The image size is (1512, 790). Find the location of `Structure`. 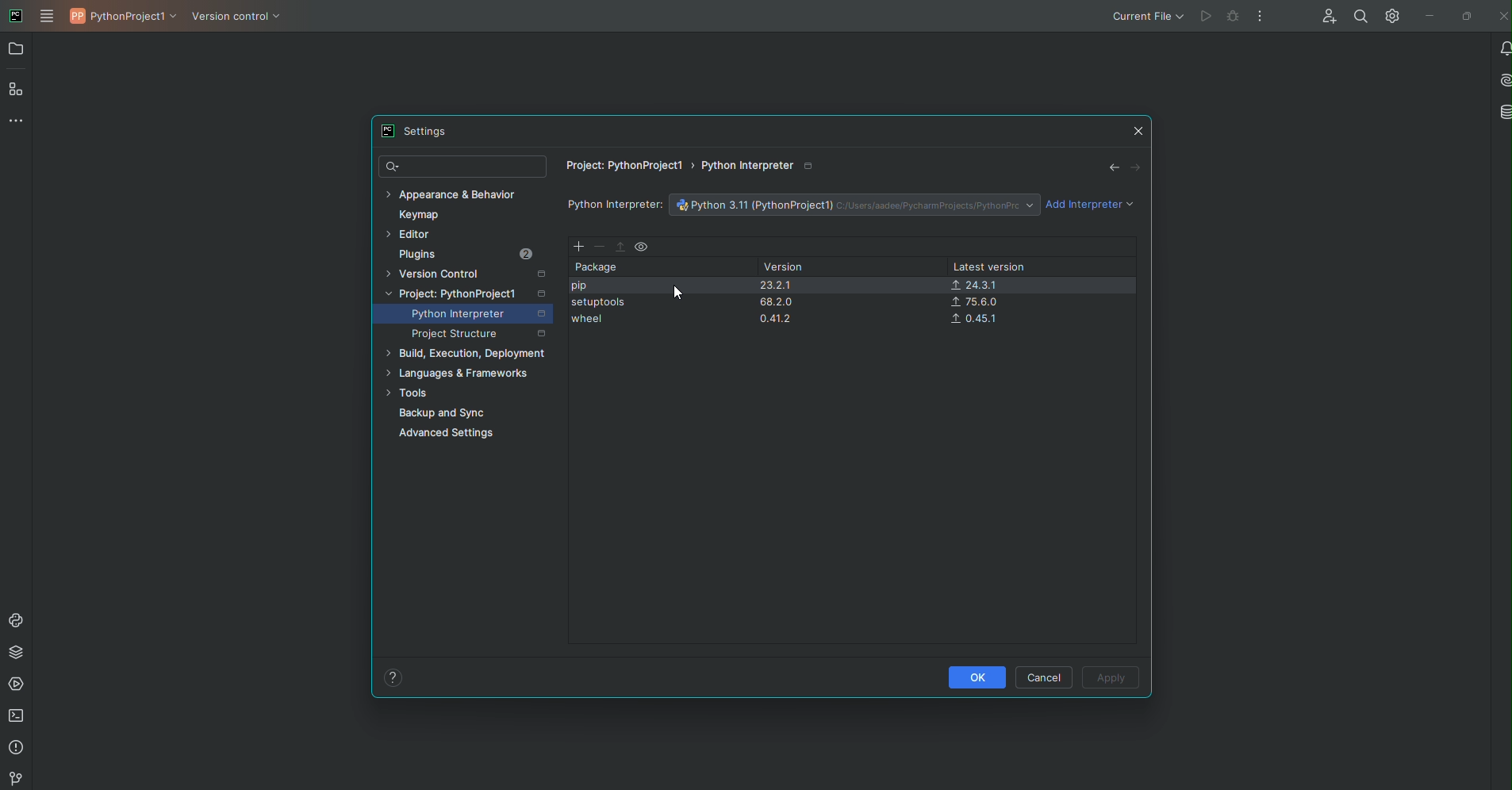

Structure is located at coordinates (18, 90).